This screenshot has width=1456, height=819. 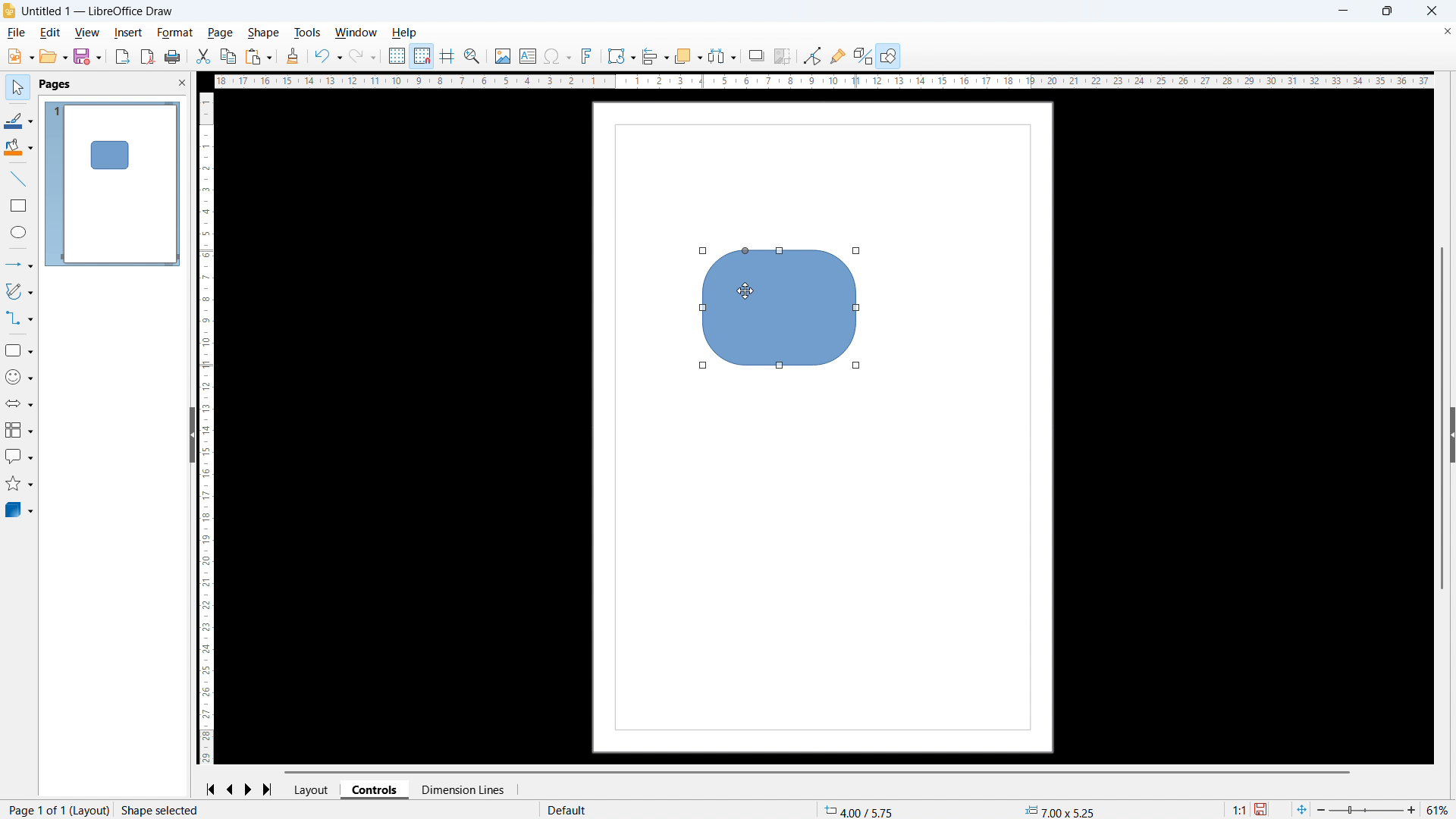 I want to click on Insert symbols , so click(x=557, y=57).